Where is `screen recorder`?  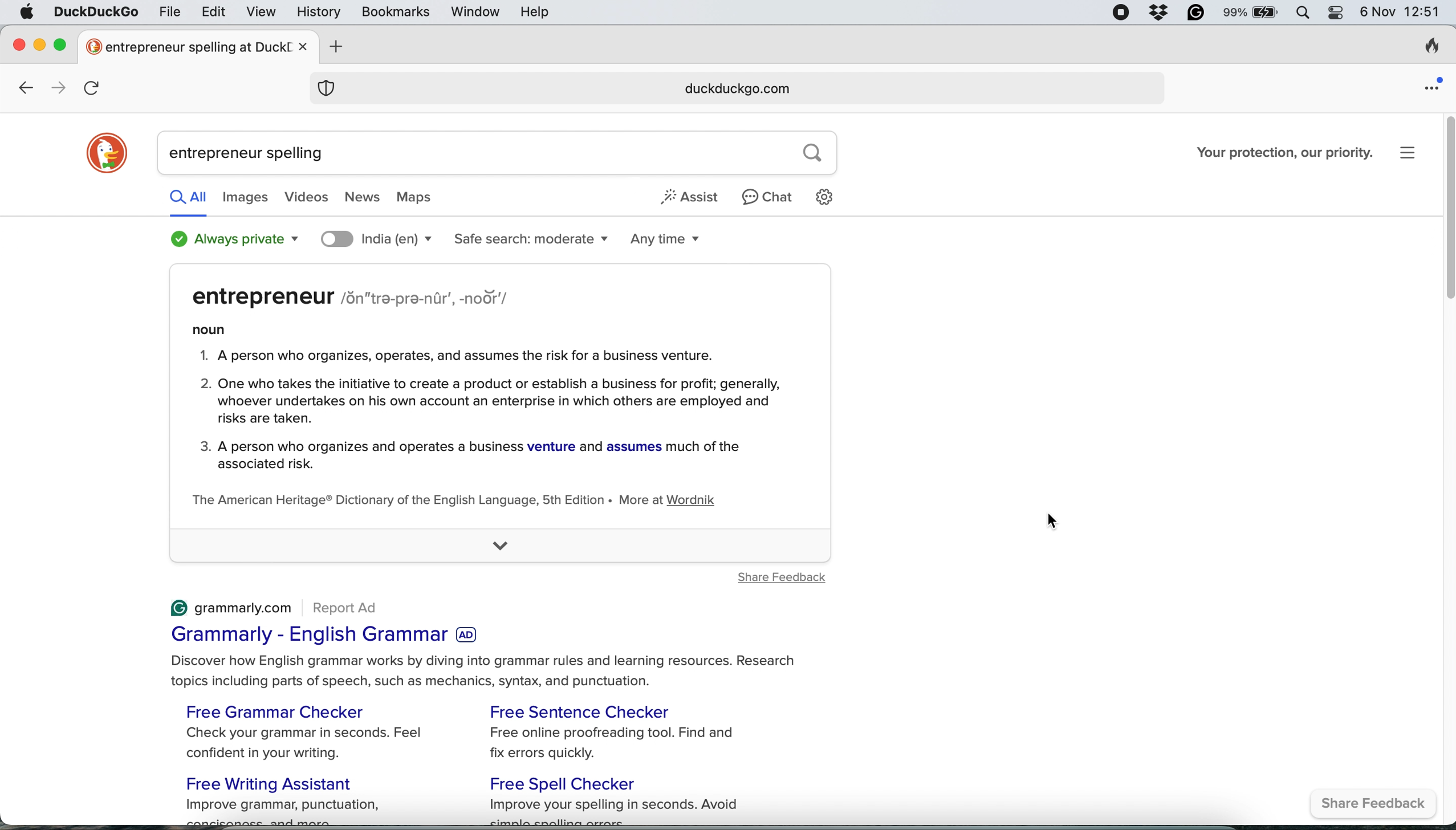
screen recorder is located at coordinates (1120, 13).